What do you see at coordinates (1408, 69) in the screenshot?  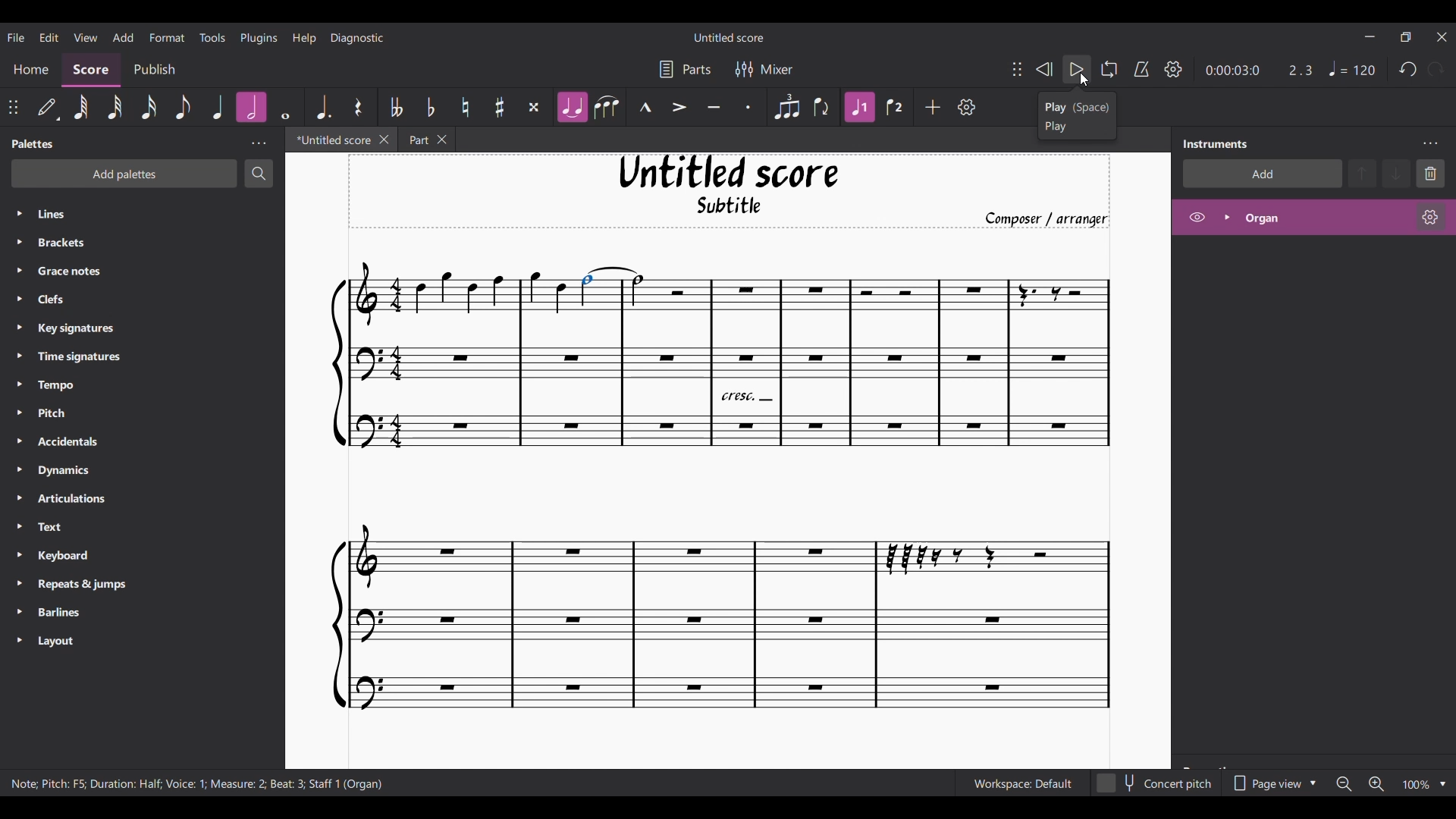 I see `Undo` at bounding box center [1408, 69].